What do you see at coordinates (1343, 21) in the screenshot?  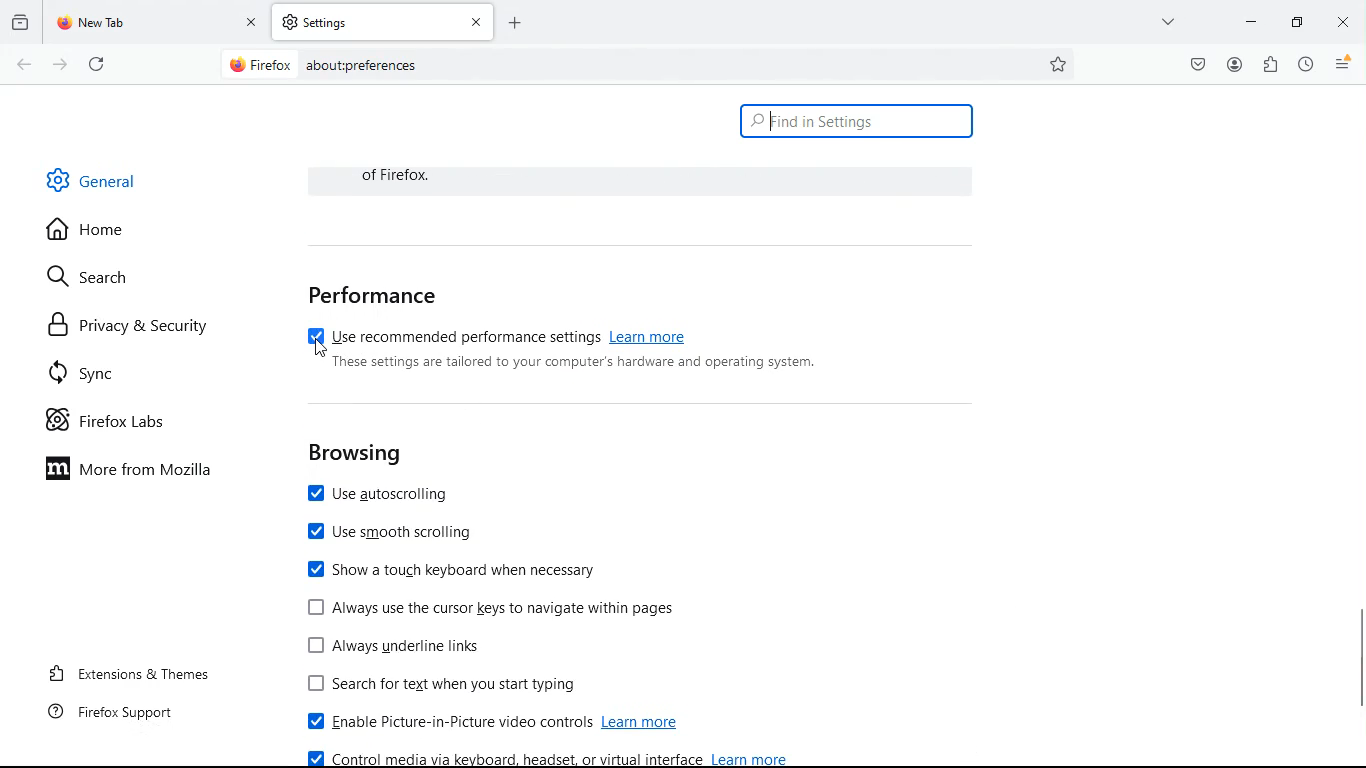 I see `close` at bounding box center [1343, 21].